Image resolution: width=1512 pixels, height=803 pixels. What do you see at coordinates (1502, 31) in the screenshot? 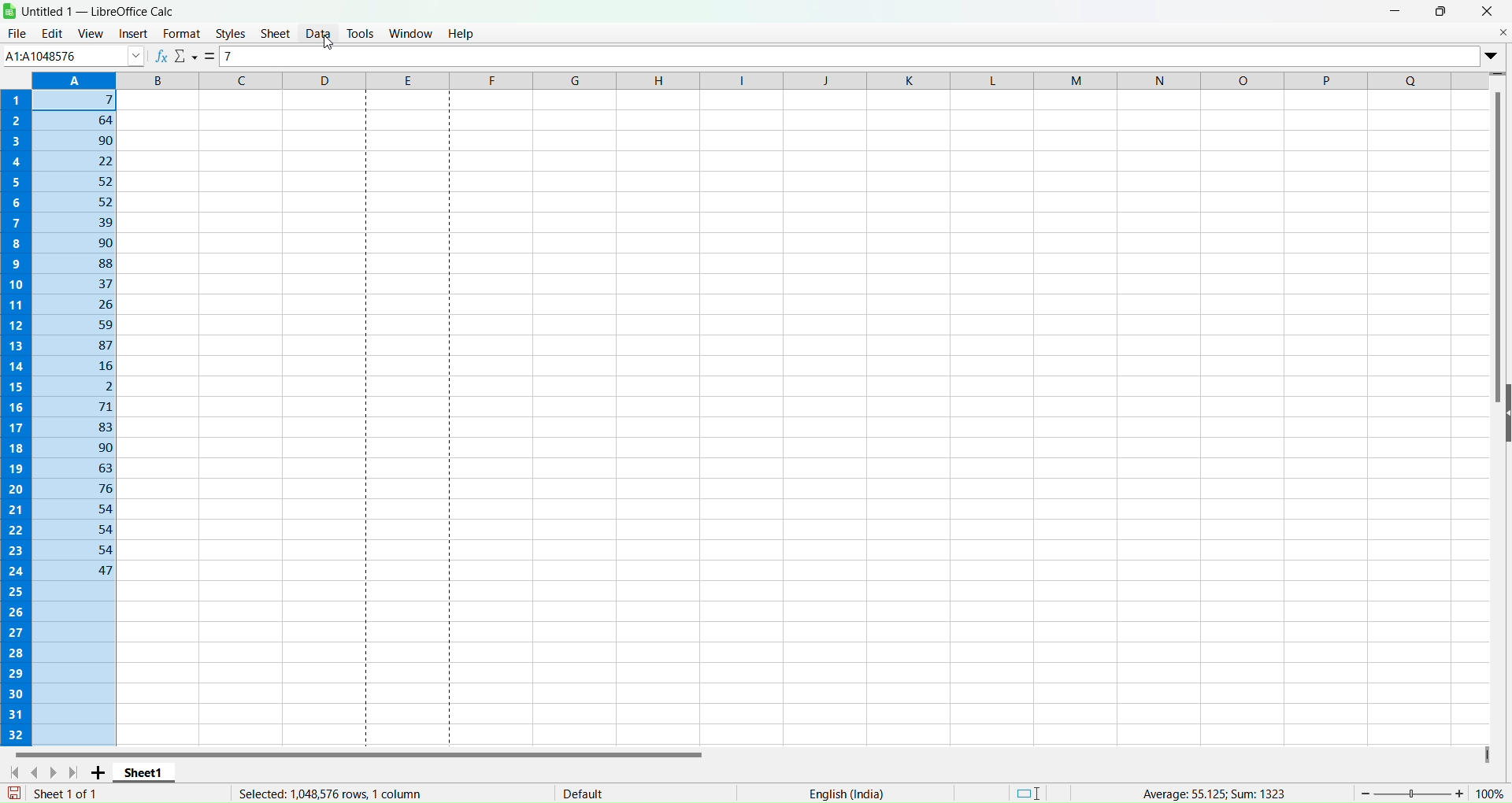
I see `Close Document` at bounding box center [1502, 31].